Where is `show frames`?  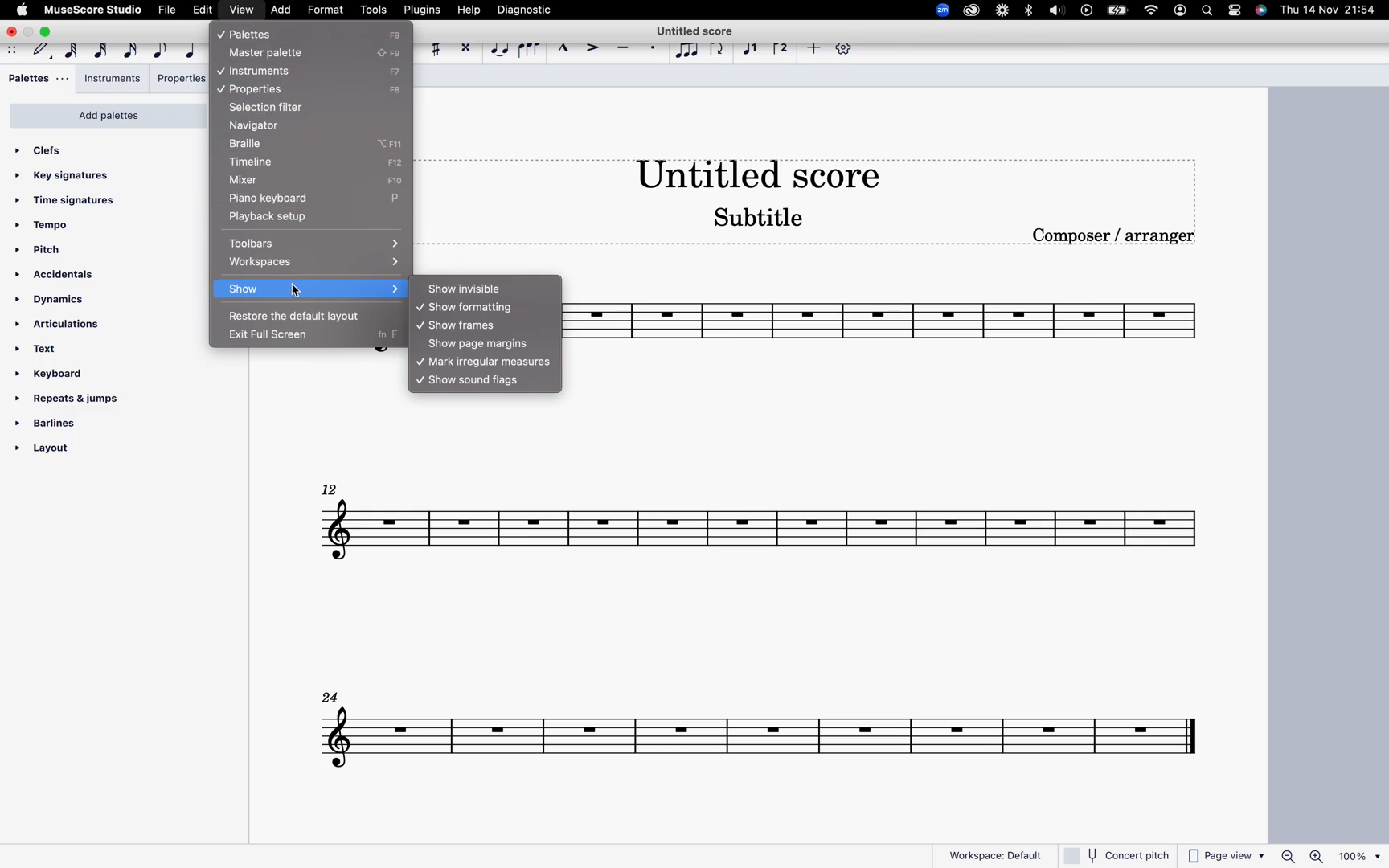
show frames is located at coordinates (470, 324).